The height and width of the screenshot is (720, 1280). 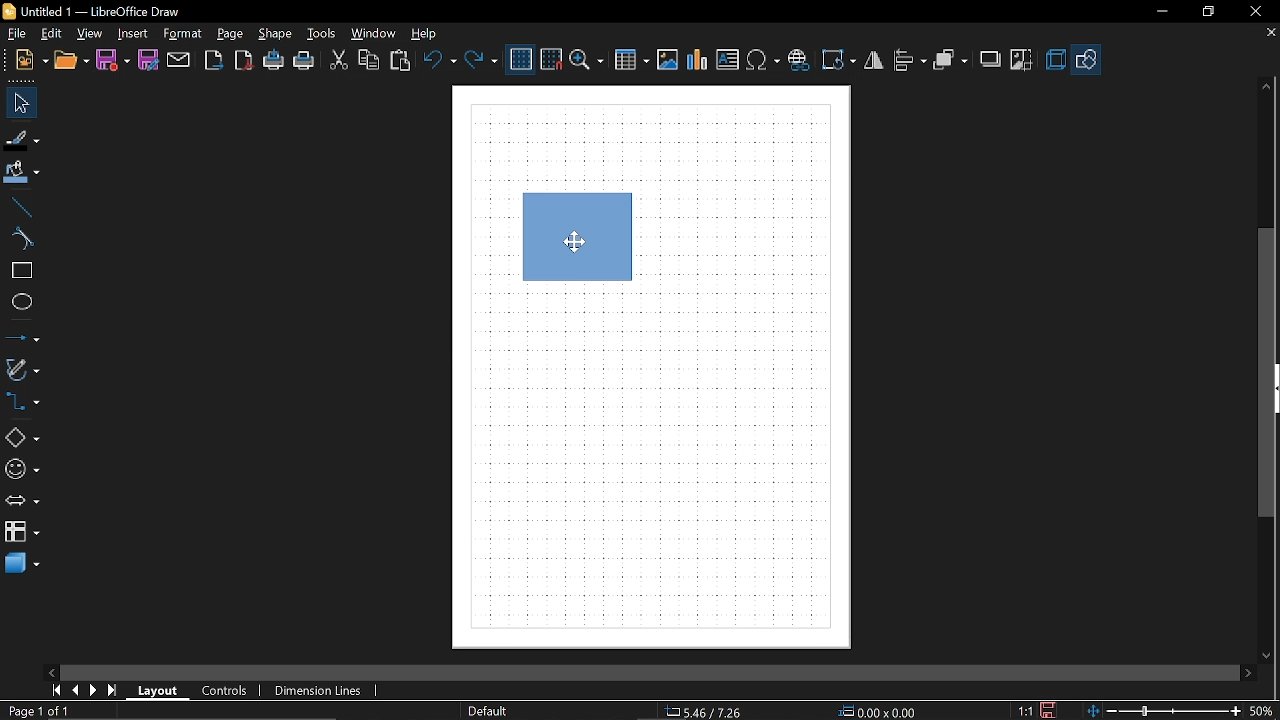 What do you see at coordinates (480, 61) in the screenshot?
I see `redo` at bounding box center [480, 61].